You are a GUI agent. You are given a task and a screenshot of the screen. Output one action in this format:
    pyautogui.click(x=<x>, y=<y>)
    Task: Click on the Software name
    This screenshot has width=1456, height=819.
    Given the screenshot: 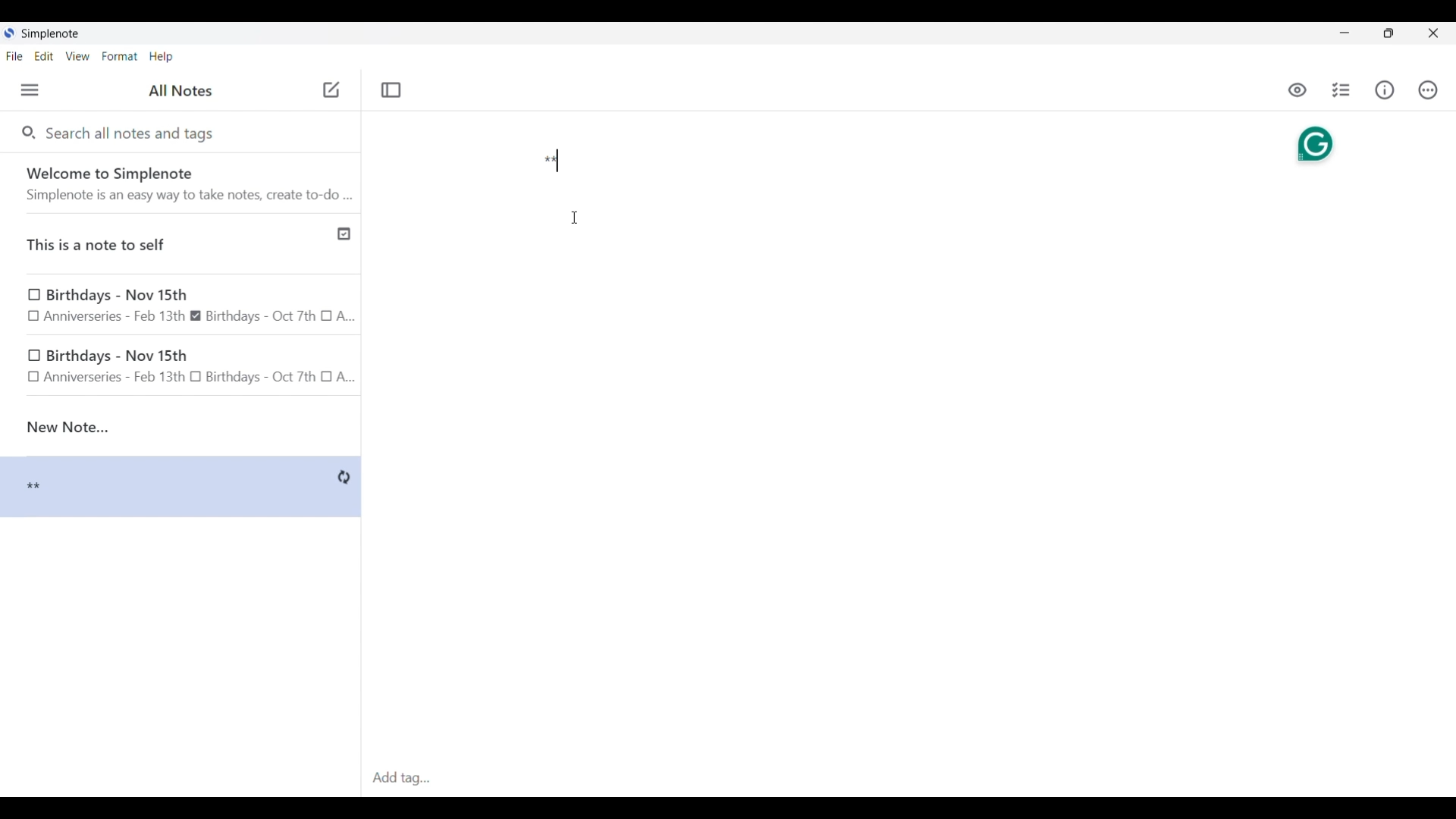 What is the action you would take?
    pyautogui.click(x=52, y=34)
    